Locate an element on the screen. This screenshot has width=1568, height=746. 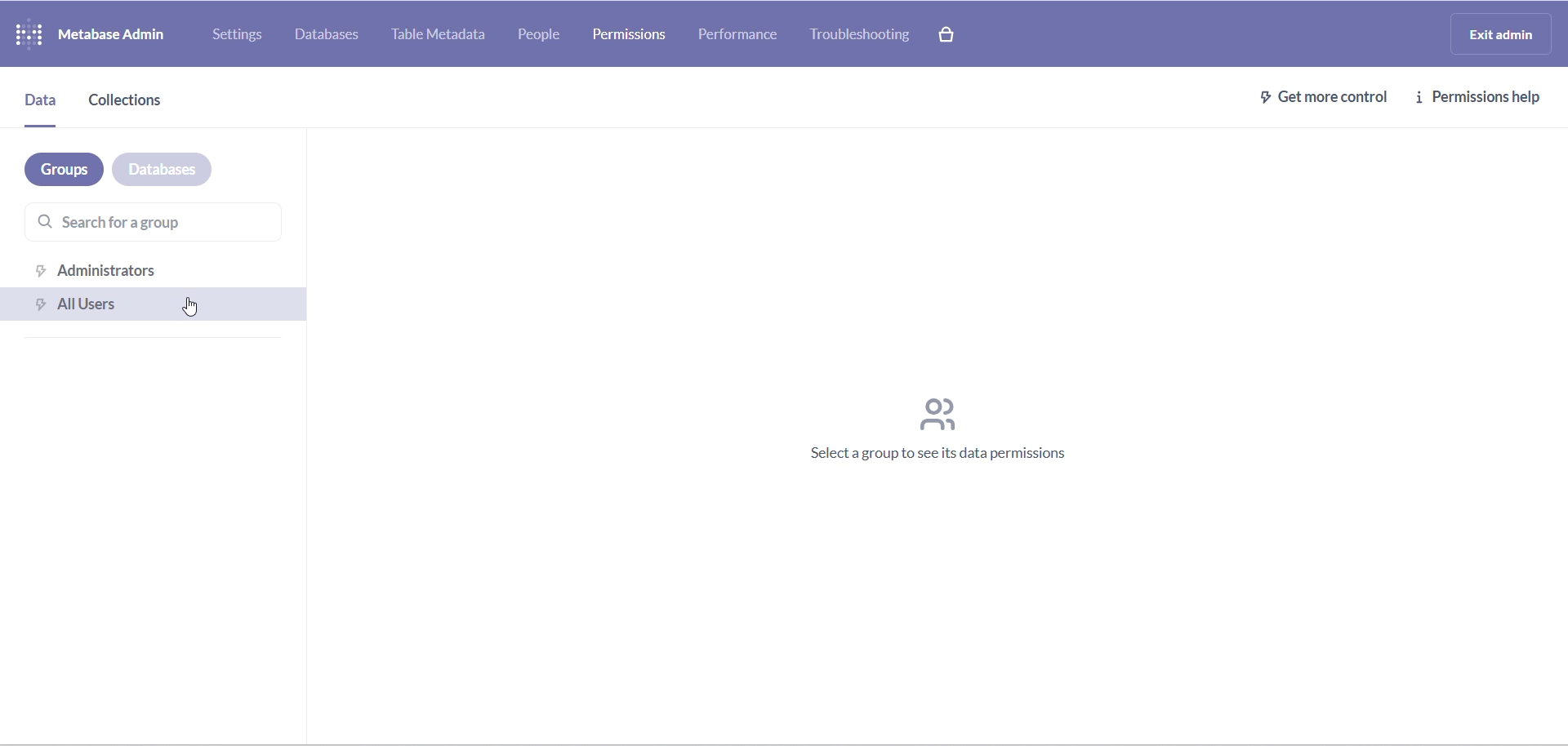
collections is located at coordinates (139, 105).